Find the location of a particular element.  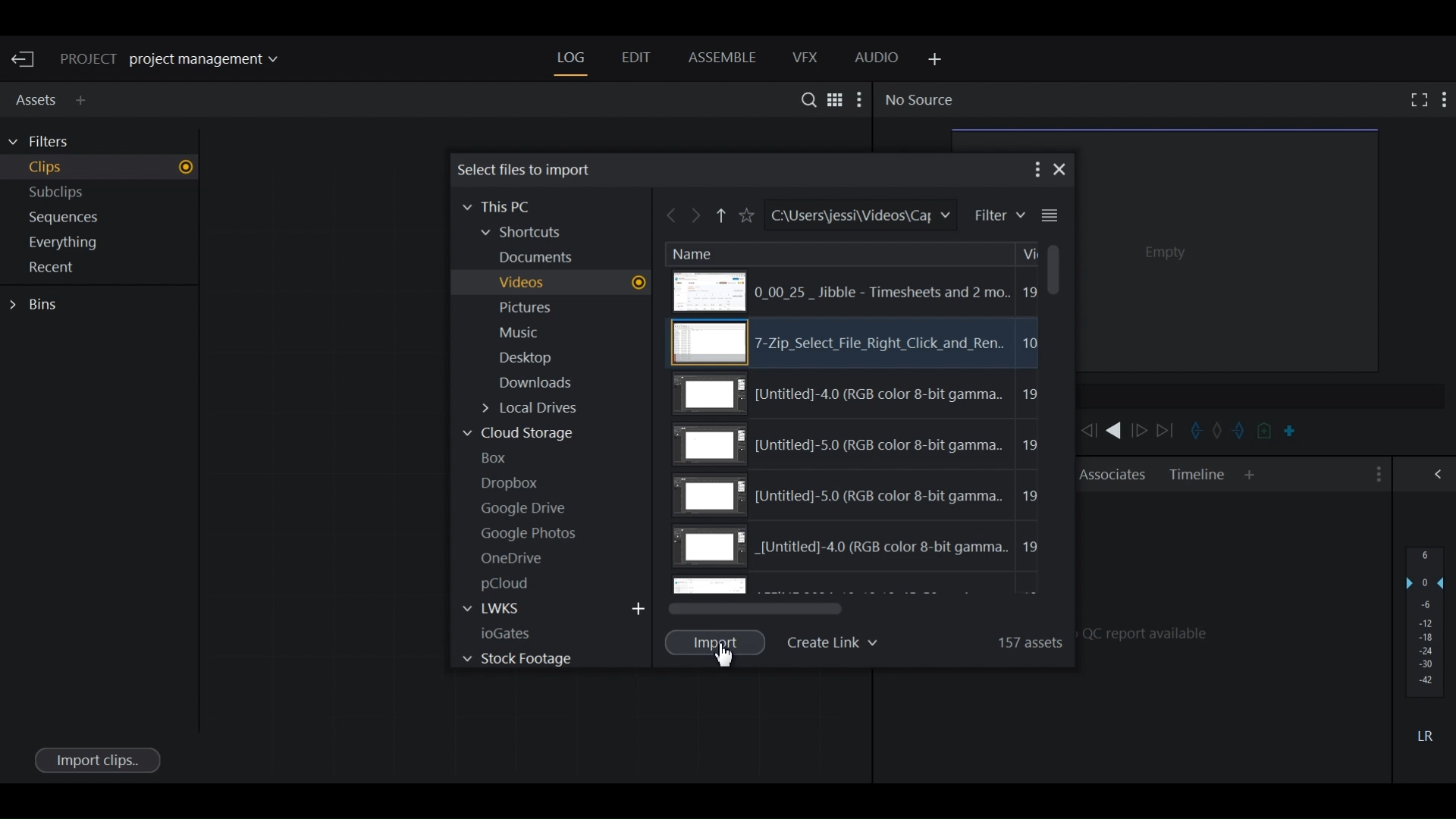

Mute is located at coordinates (1425, 735).